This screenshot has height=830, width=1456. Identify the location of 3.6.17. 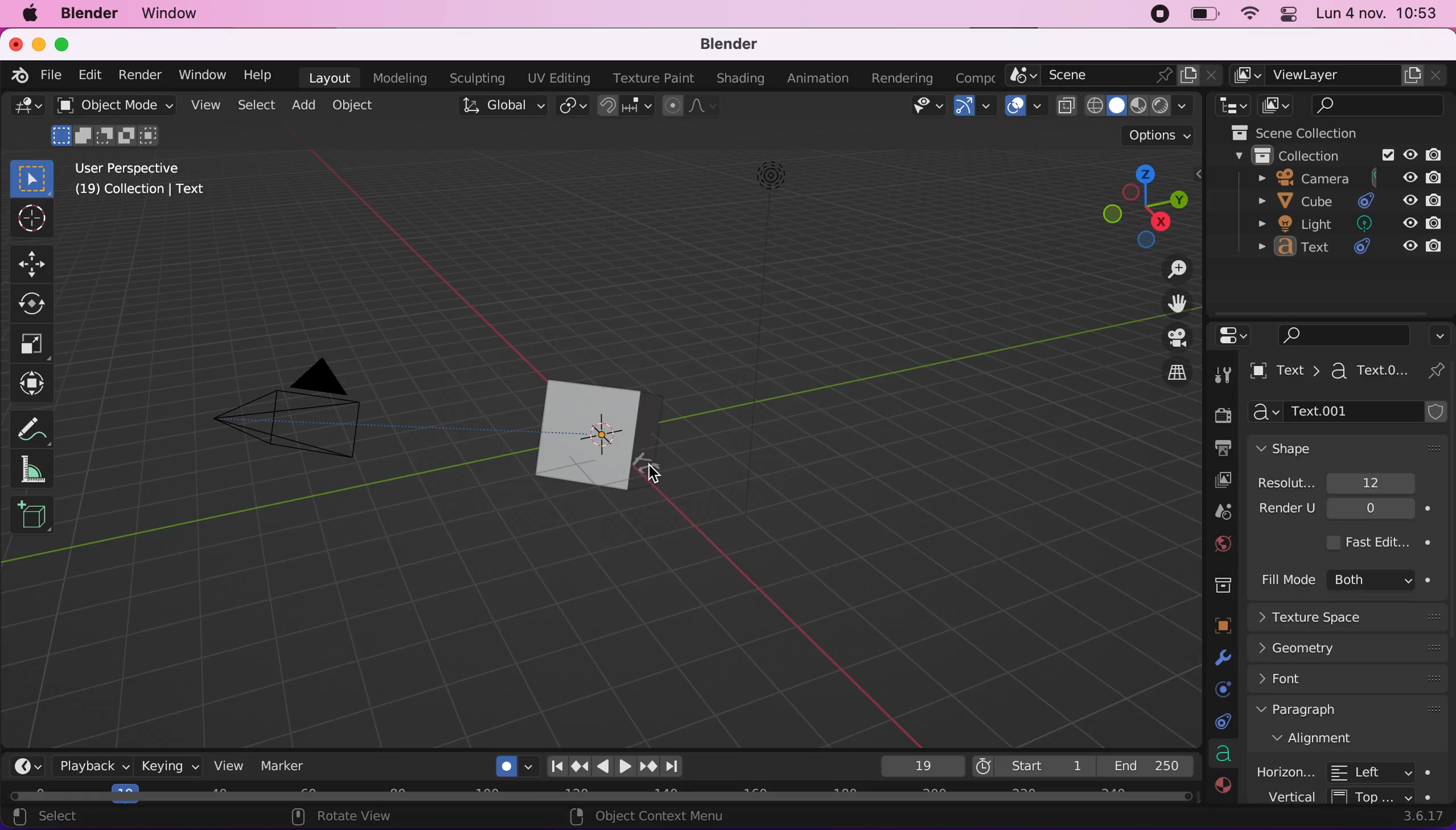
(1409, 819).